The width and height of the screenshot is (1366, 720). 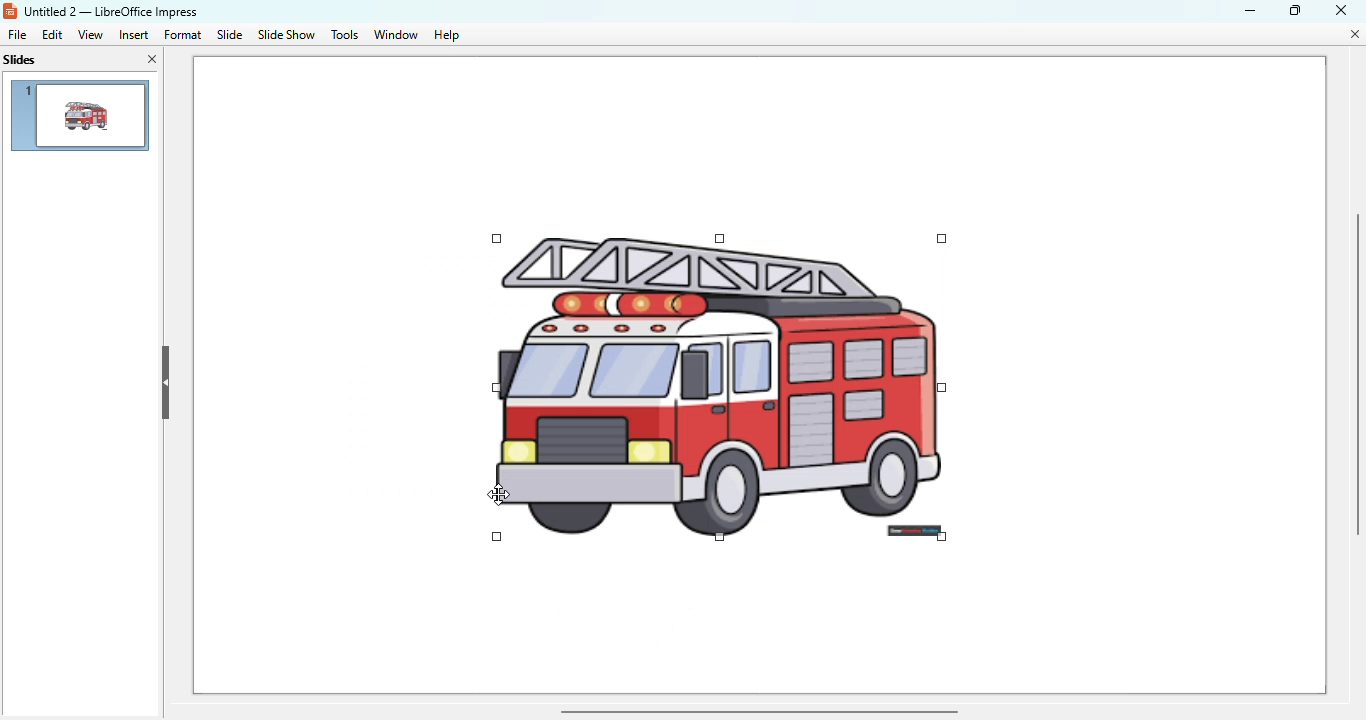 I want to click on slide, so click(x=231, y=35).